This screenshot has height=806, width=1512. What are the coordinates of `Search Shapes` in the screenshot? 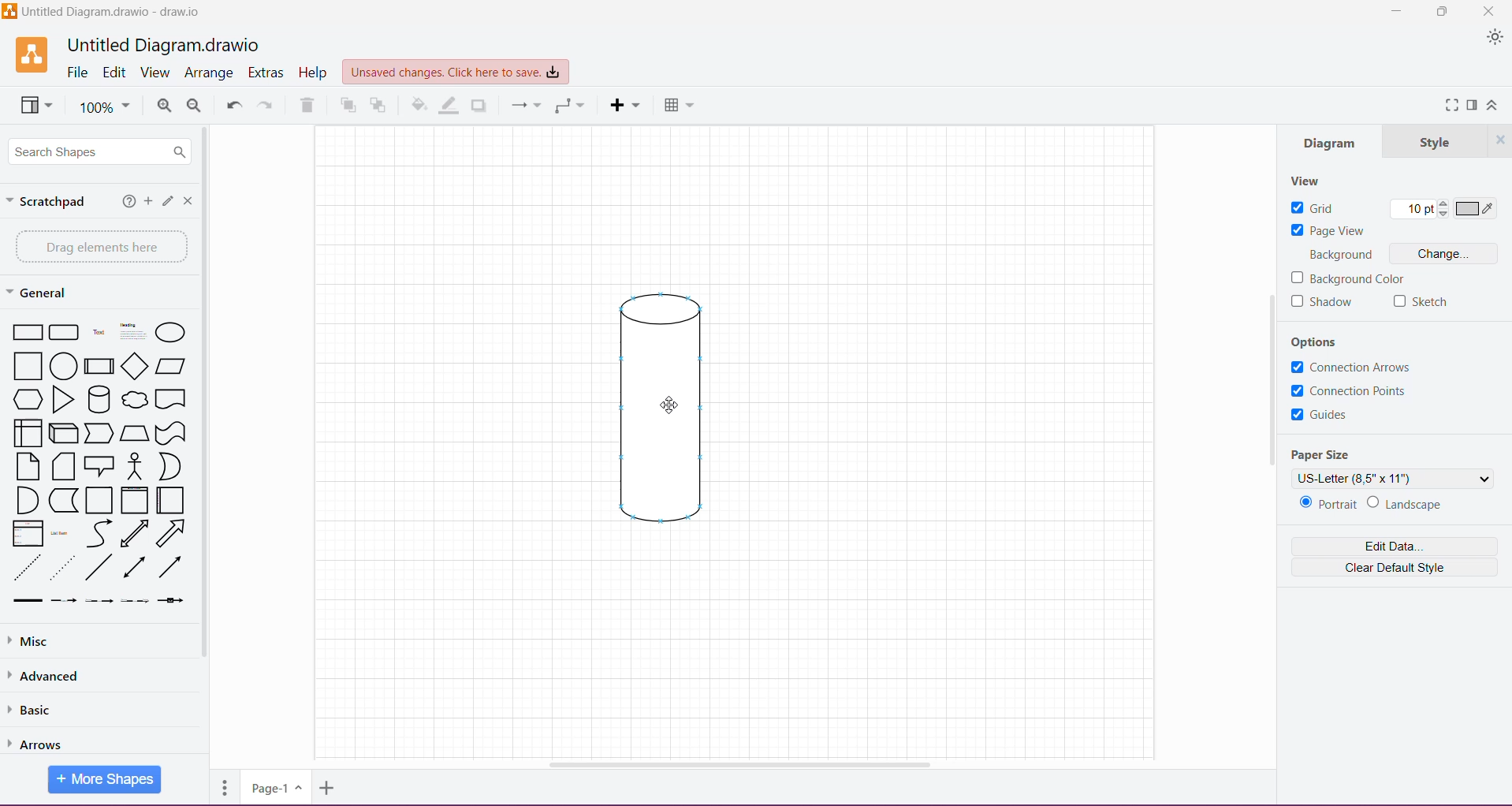 It's located at (102, 152).